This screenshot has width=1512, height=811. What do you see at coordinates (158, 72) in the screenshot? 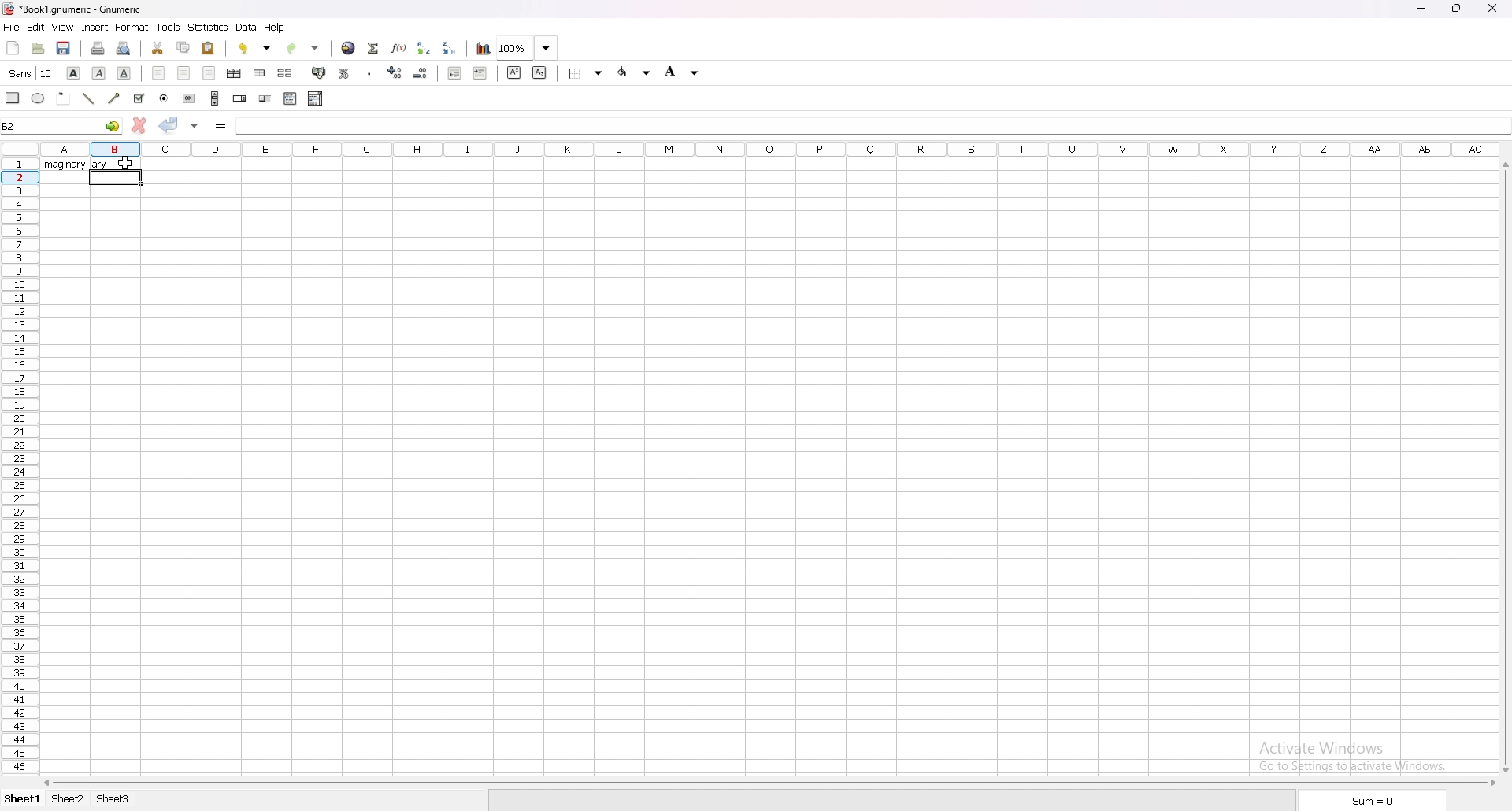
I see `left align` at bounding box center [158, 72].